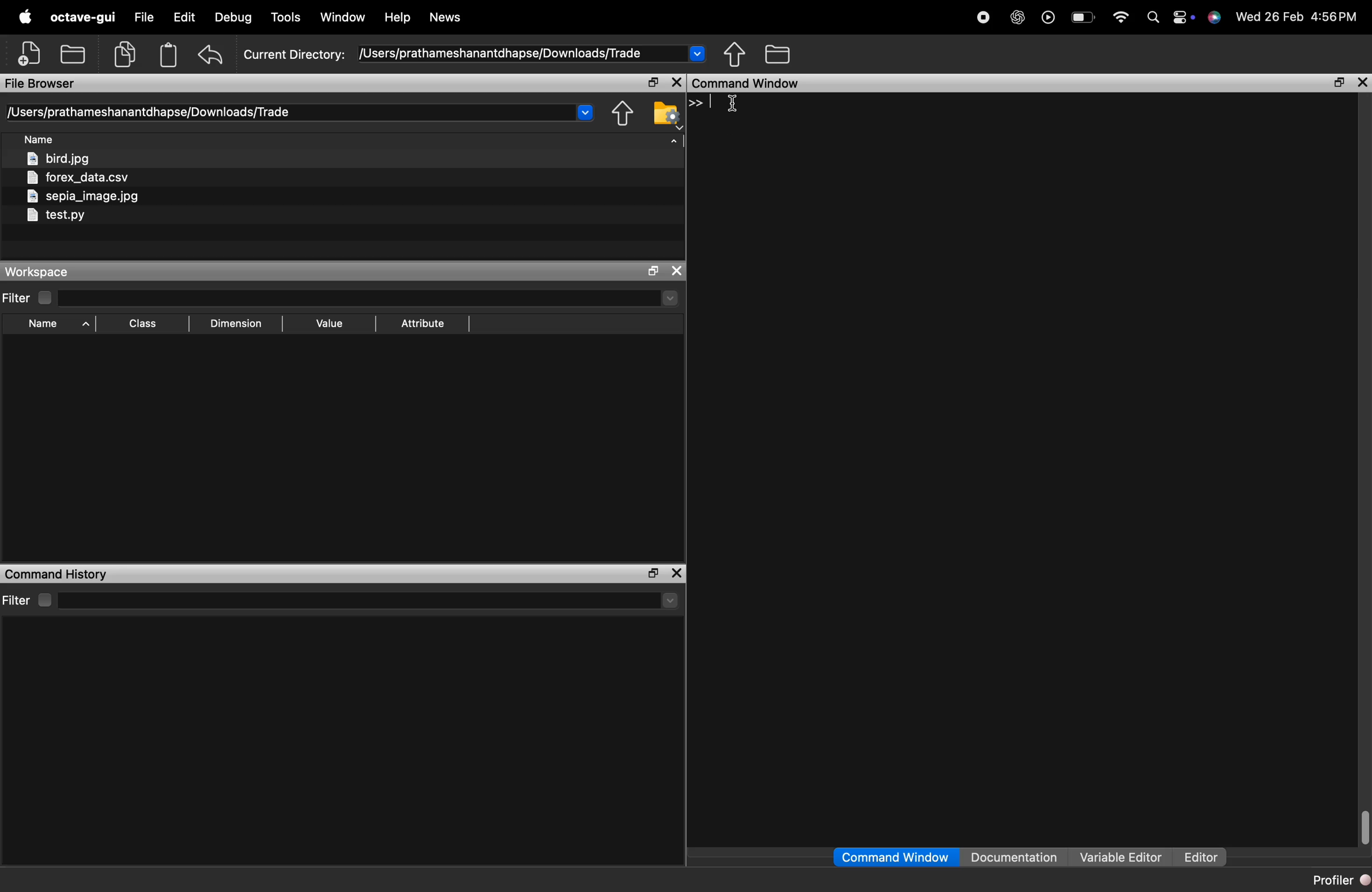 The image size is (1372, 892). I want to click on >>, so click(699, 103).